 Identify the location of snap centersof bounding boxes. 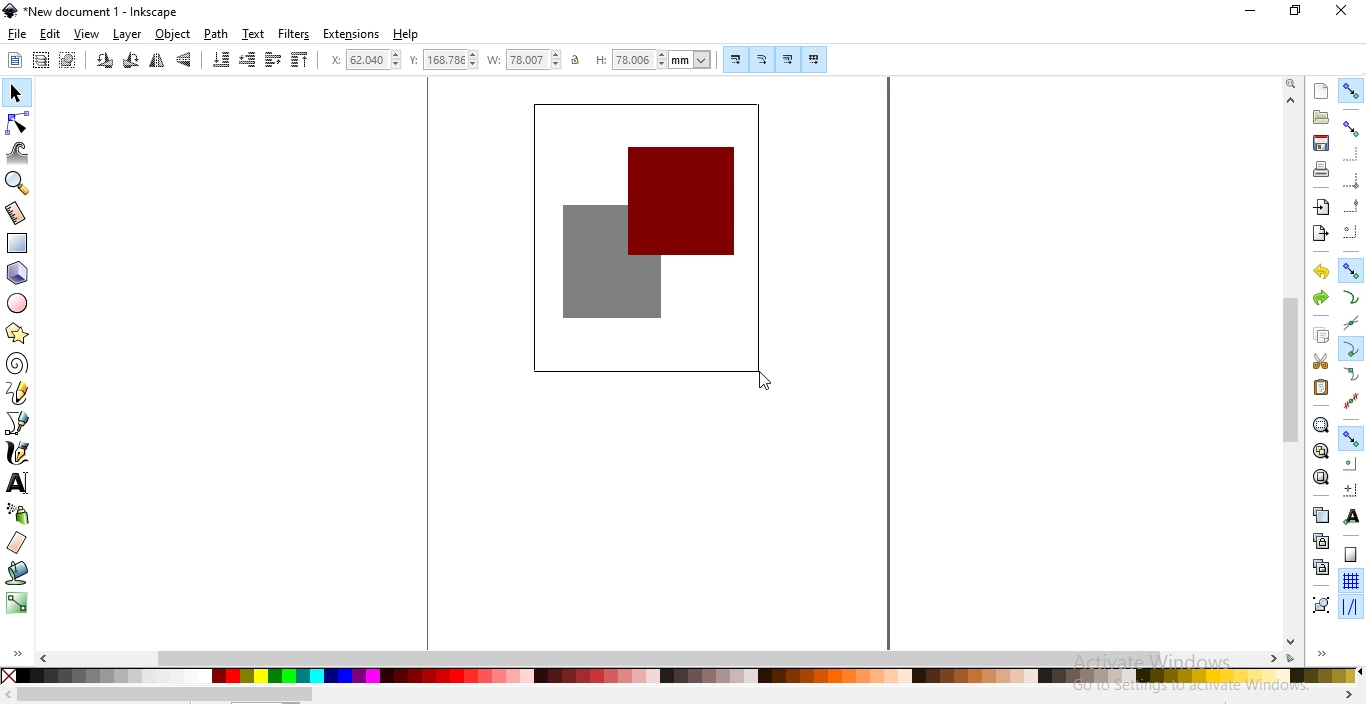
(1349, 233).